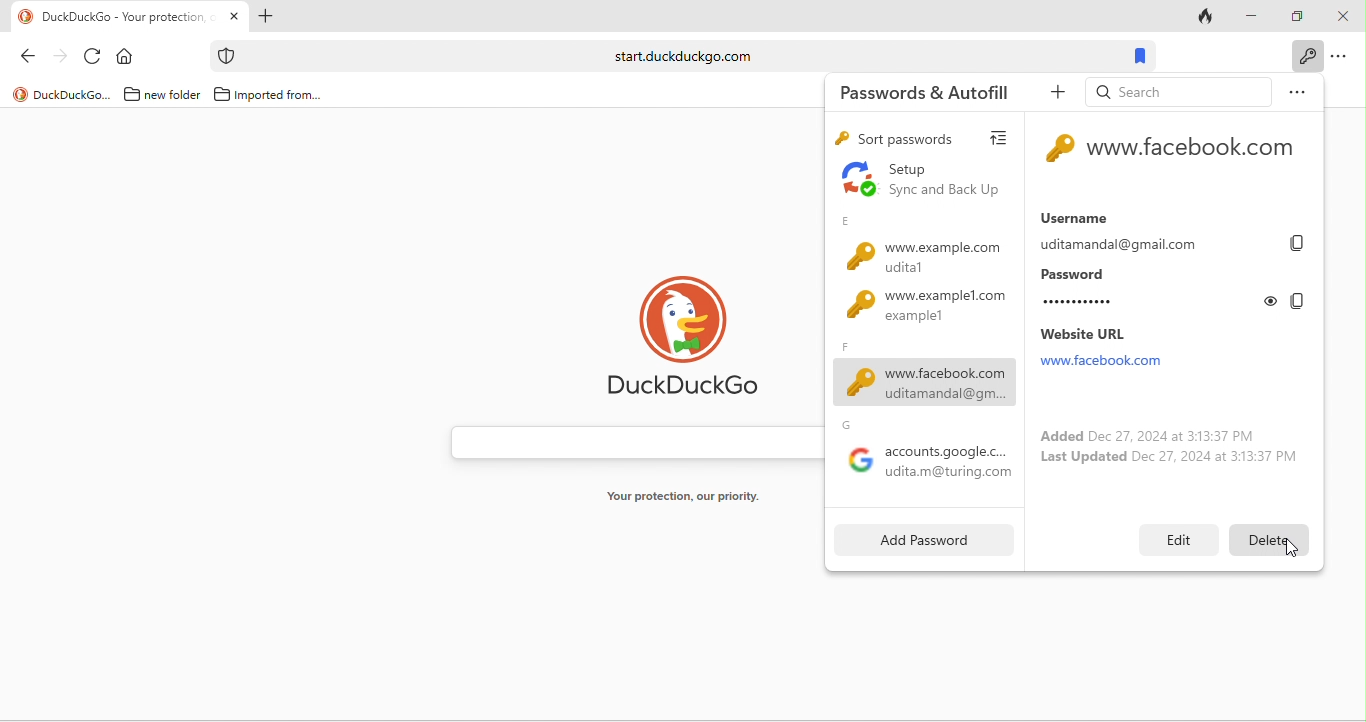 This screenshot has height=722, width=1366. What do you see at coordinates (918, 312) in the screenshot?
I see `www.example1.com` at bounding box center [918, 312].